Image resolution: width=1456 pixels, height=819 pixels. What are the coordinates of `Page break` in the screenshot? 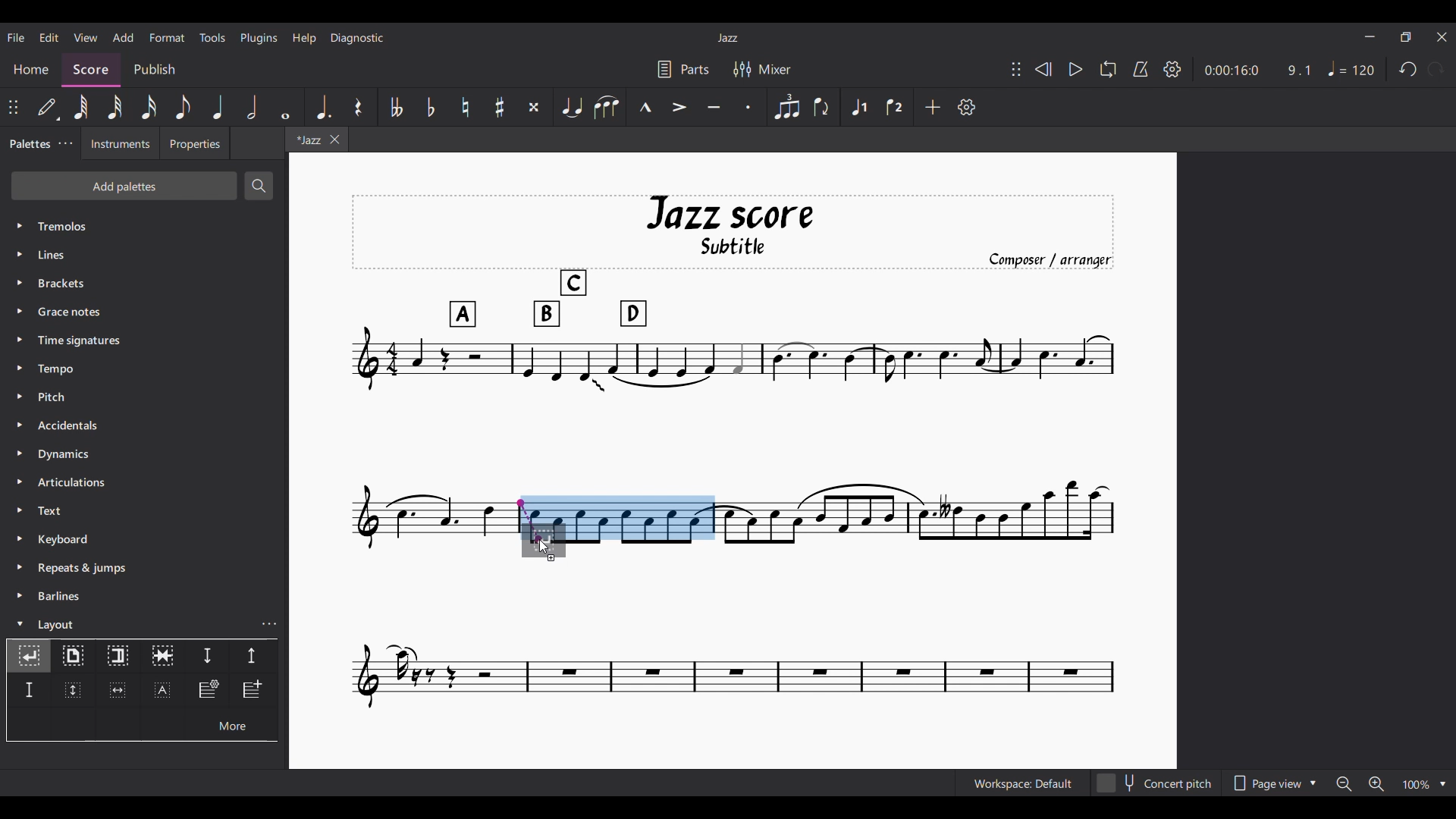 It's located at (73, 657).